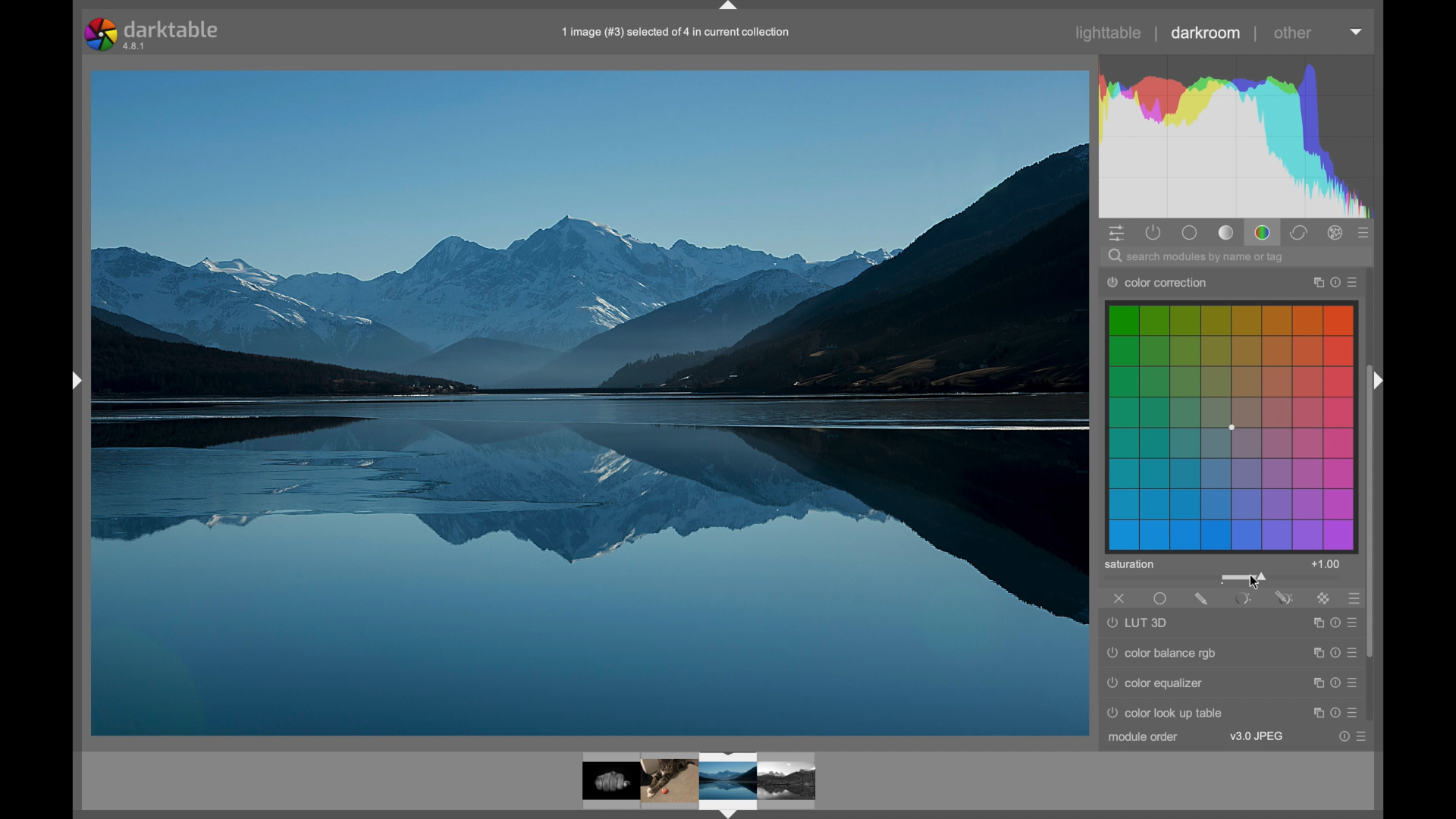 Image resolution: width=1456 pixels, height=819 pixels. What do you see at coordinates (1263, 232) in the screenshot?
I see `color` at bounding box center [1263, 232].